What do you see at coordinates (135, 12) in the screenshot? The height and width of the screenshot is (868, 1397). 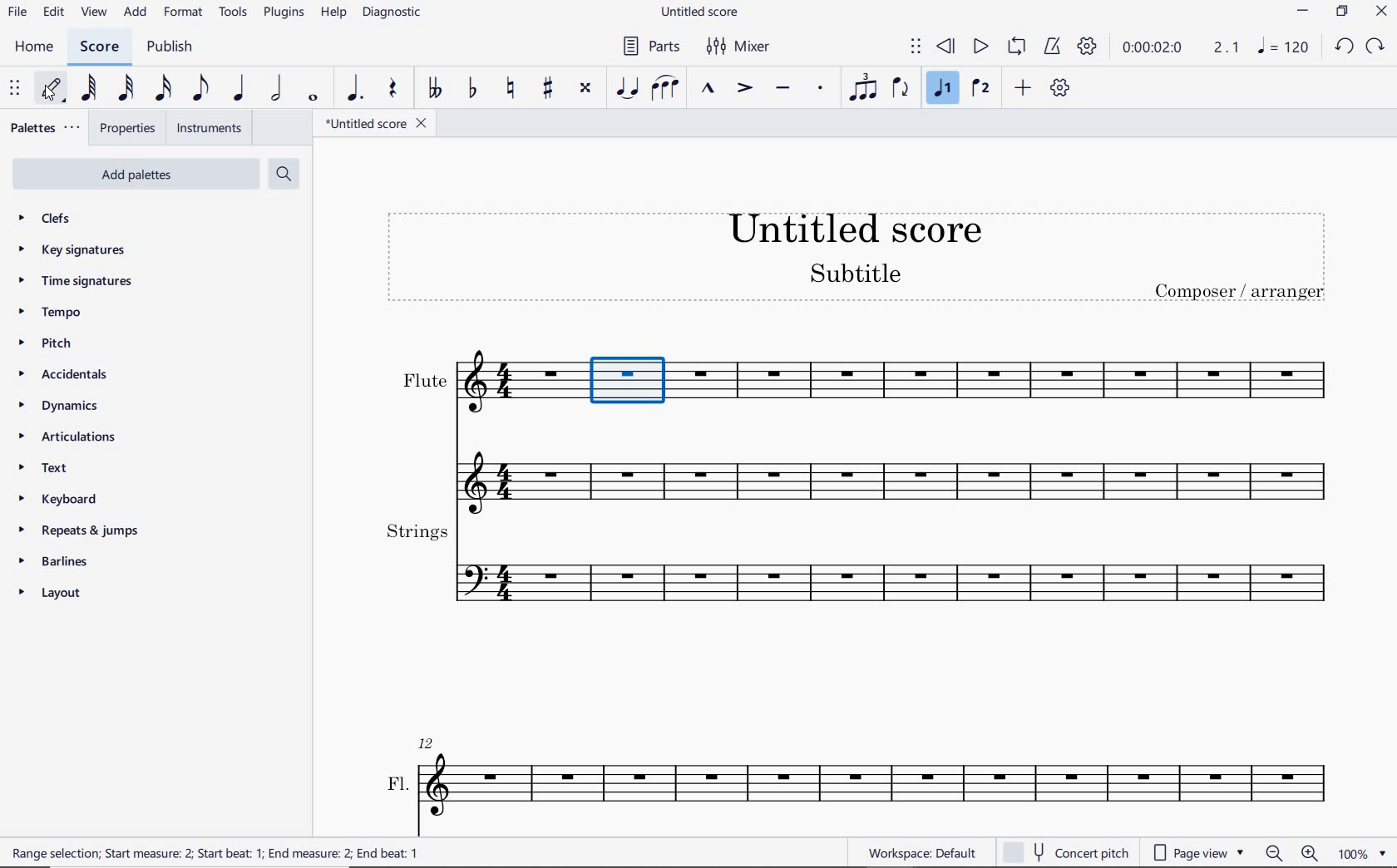 I see `ADD` at bounding box center [135, 12].